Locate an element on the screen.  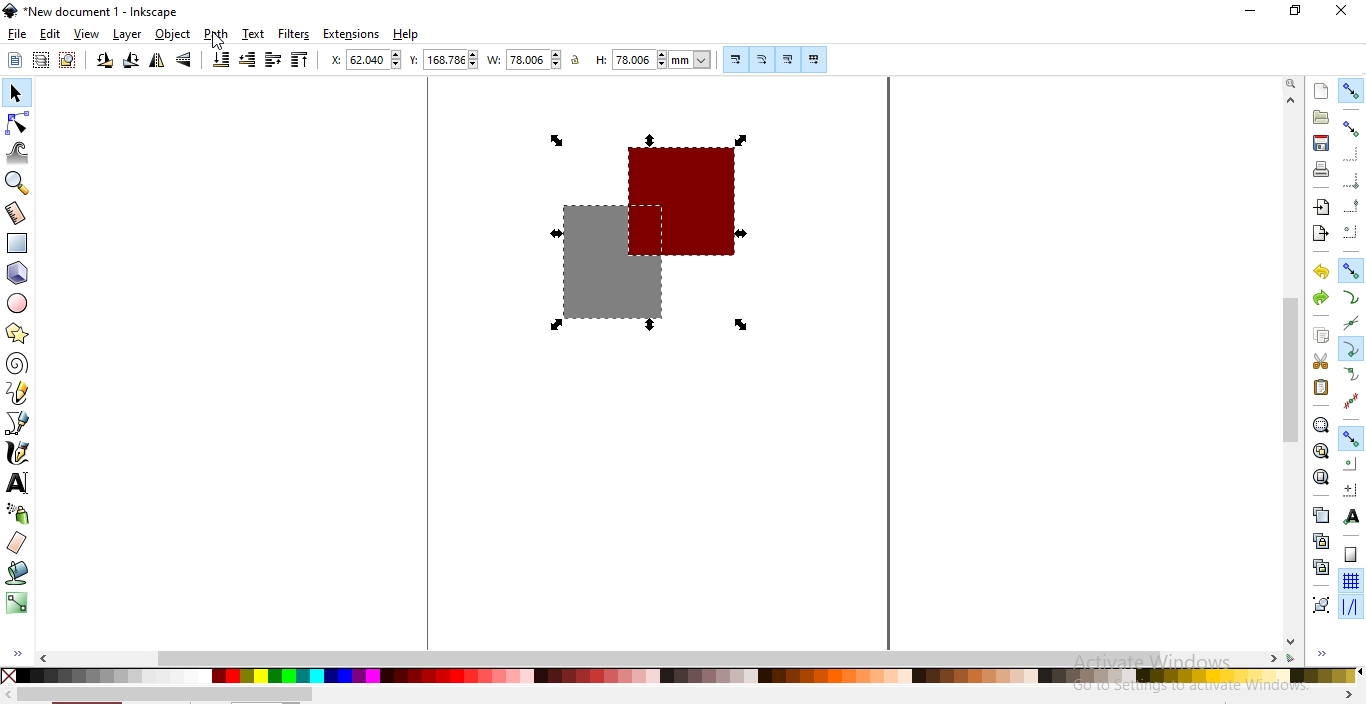
snap midpoints of line segments is located at coordinates (1350, 401).